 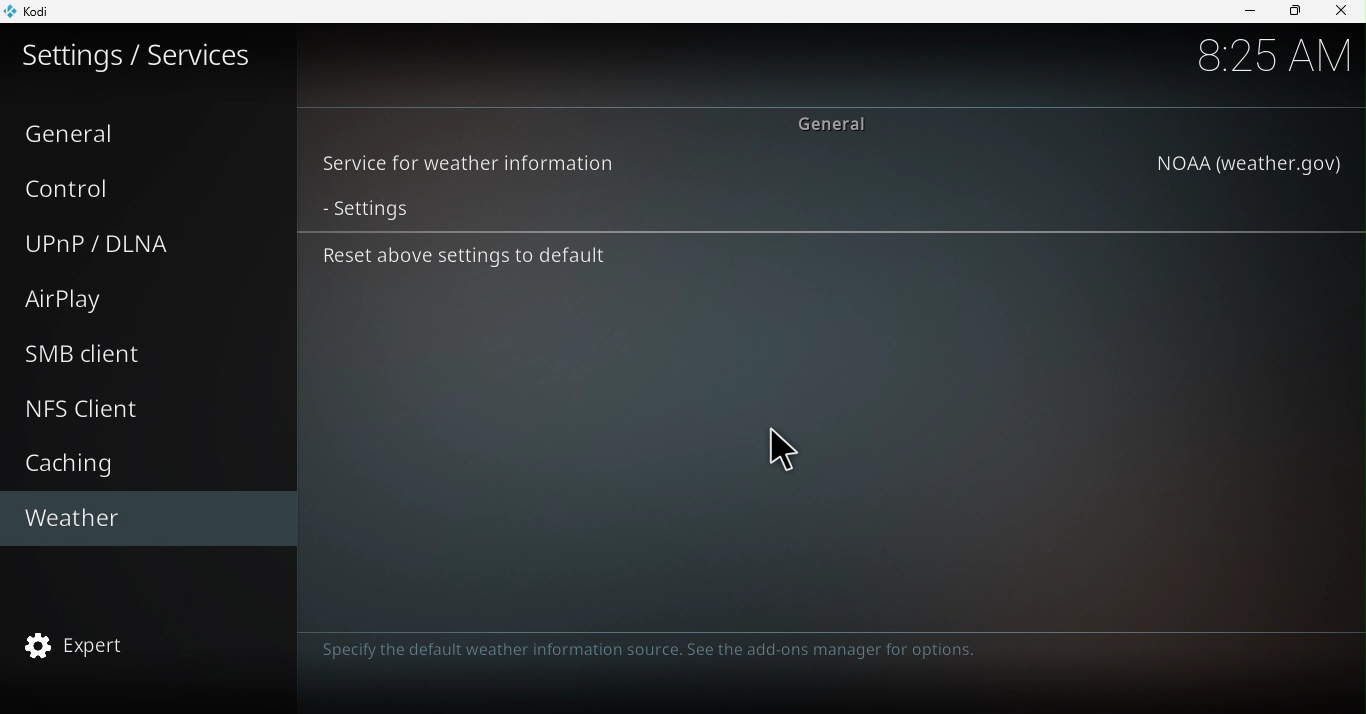 What do you see at coordinates (155, 354) in the screenshot?
I see `SMB client` at bounding box center [155, 354].